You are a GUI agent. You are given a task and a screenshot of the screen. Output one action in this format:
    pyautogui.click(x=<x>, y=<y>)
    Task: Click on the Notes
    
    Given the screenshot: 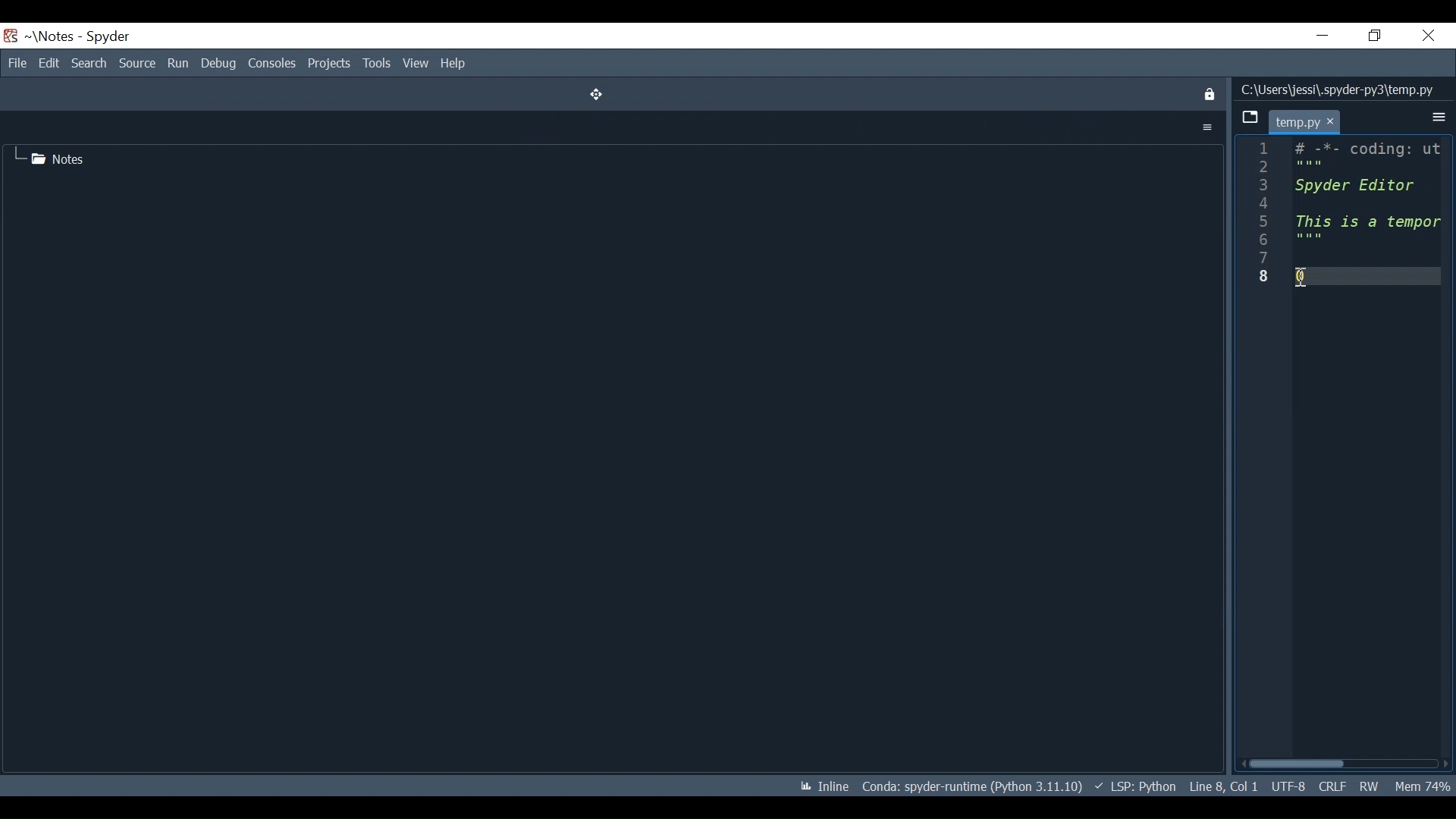 What is the action you would take?
    pyautogui.click(x=49, y=155)
    